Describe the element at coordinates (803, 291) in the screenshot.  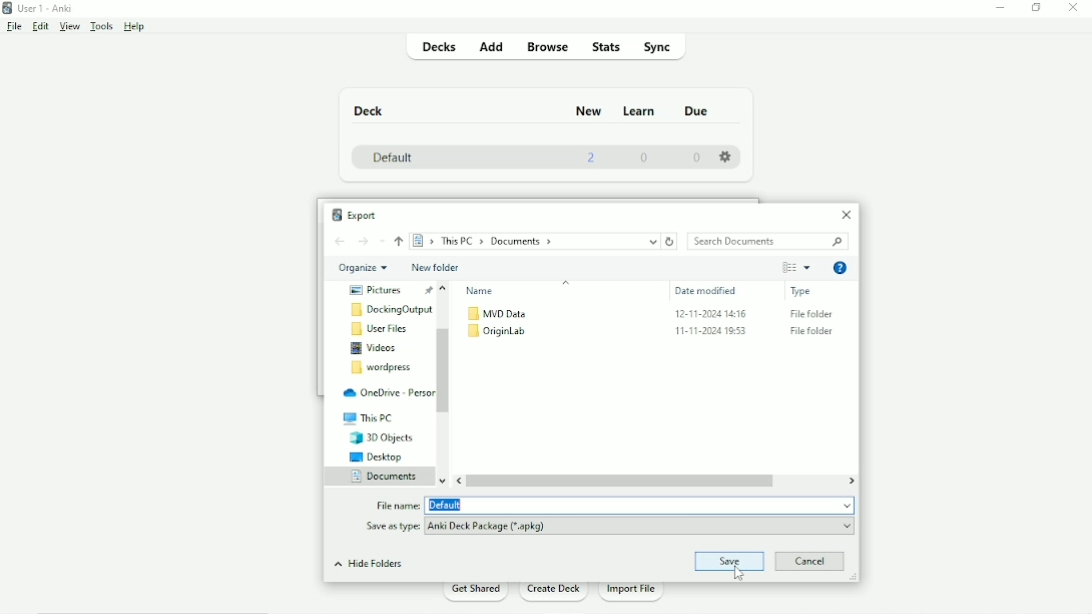
I see `Type` at that location.